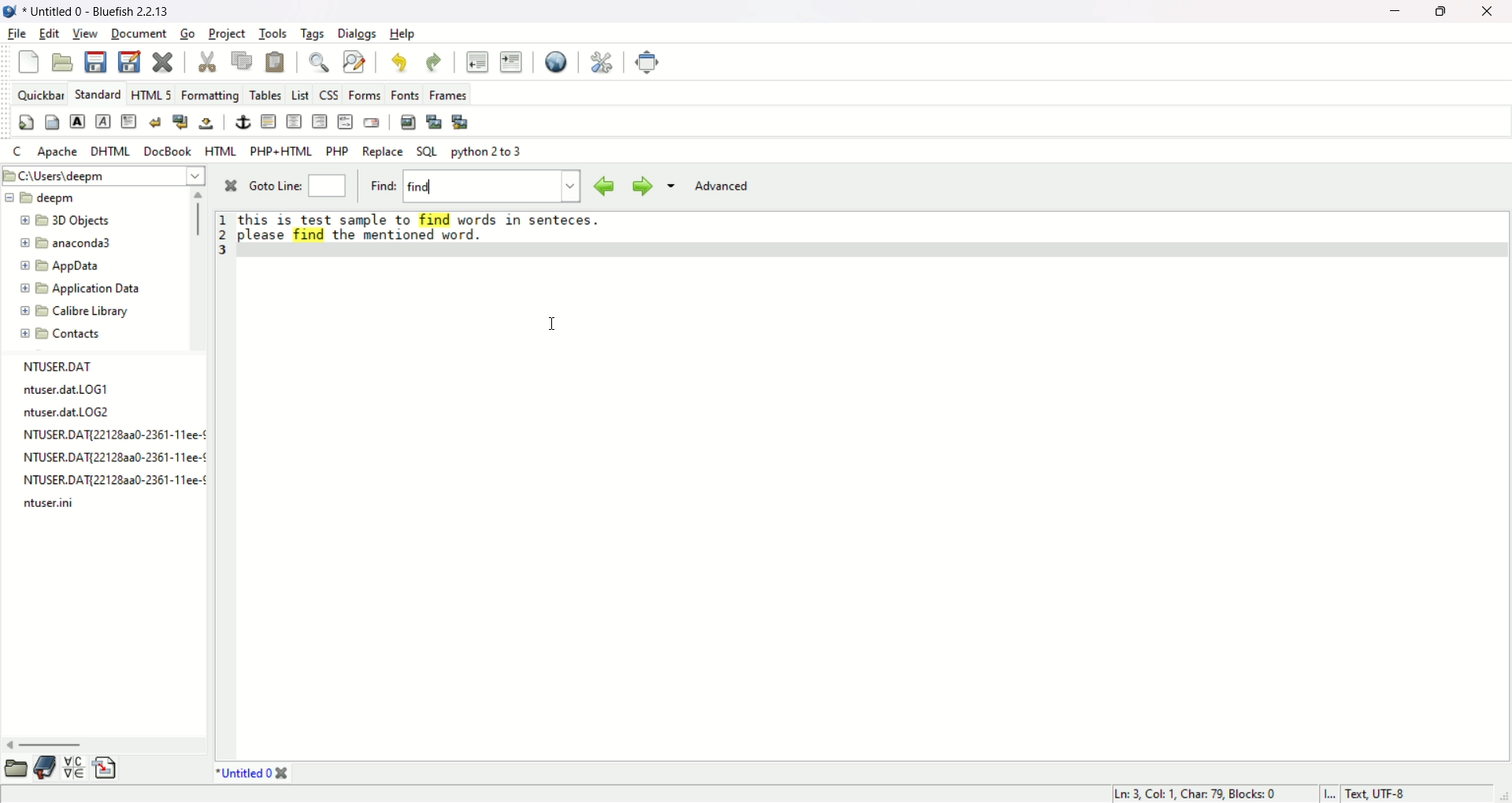 The height and width of the screenshot is (803, 1512). I want to click on goto line, so click(330, 186).